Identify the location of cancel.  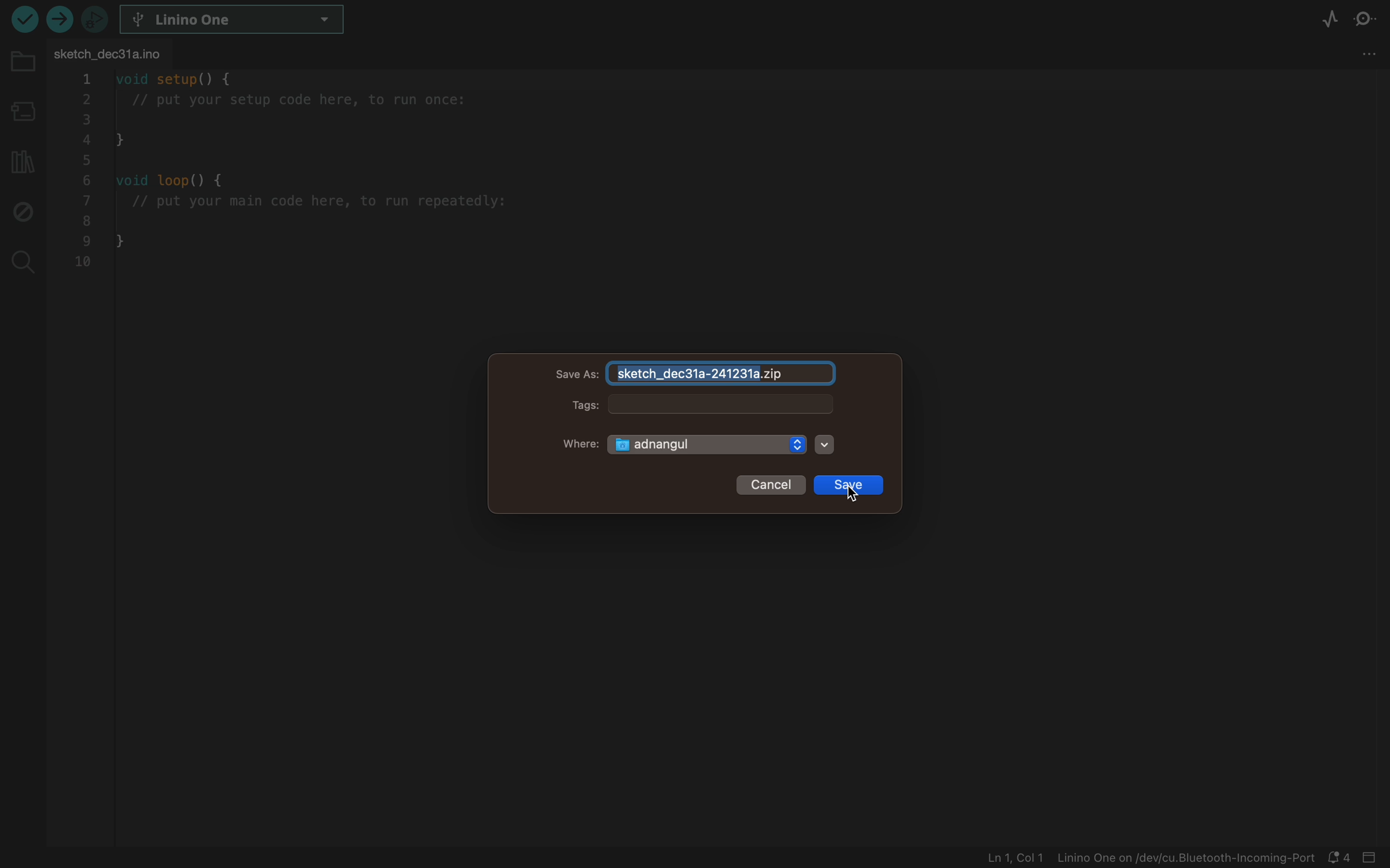
(771, 482).